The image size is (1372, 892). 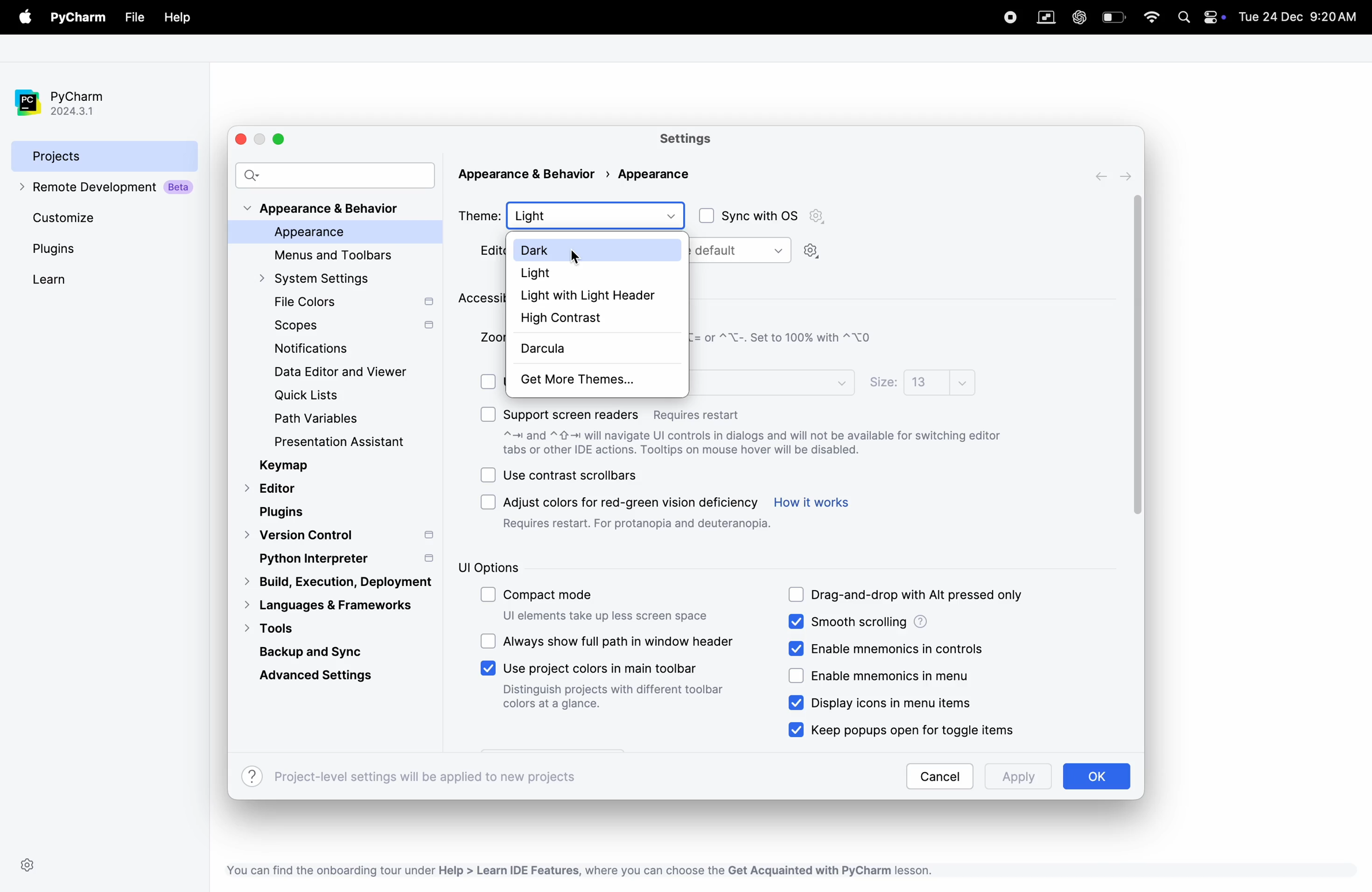 I want to click on apperance behaviour, so click(x=325, y=209).